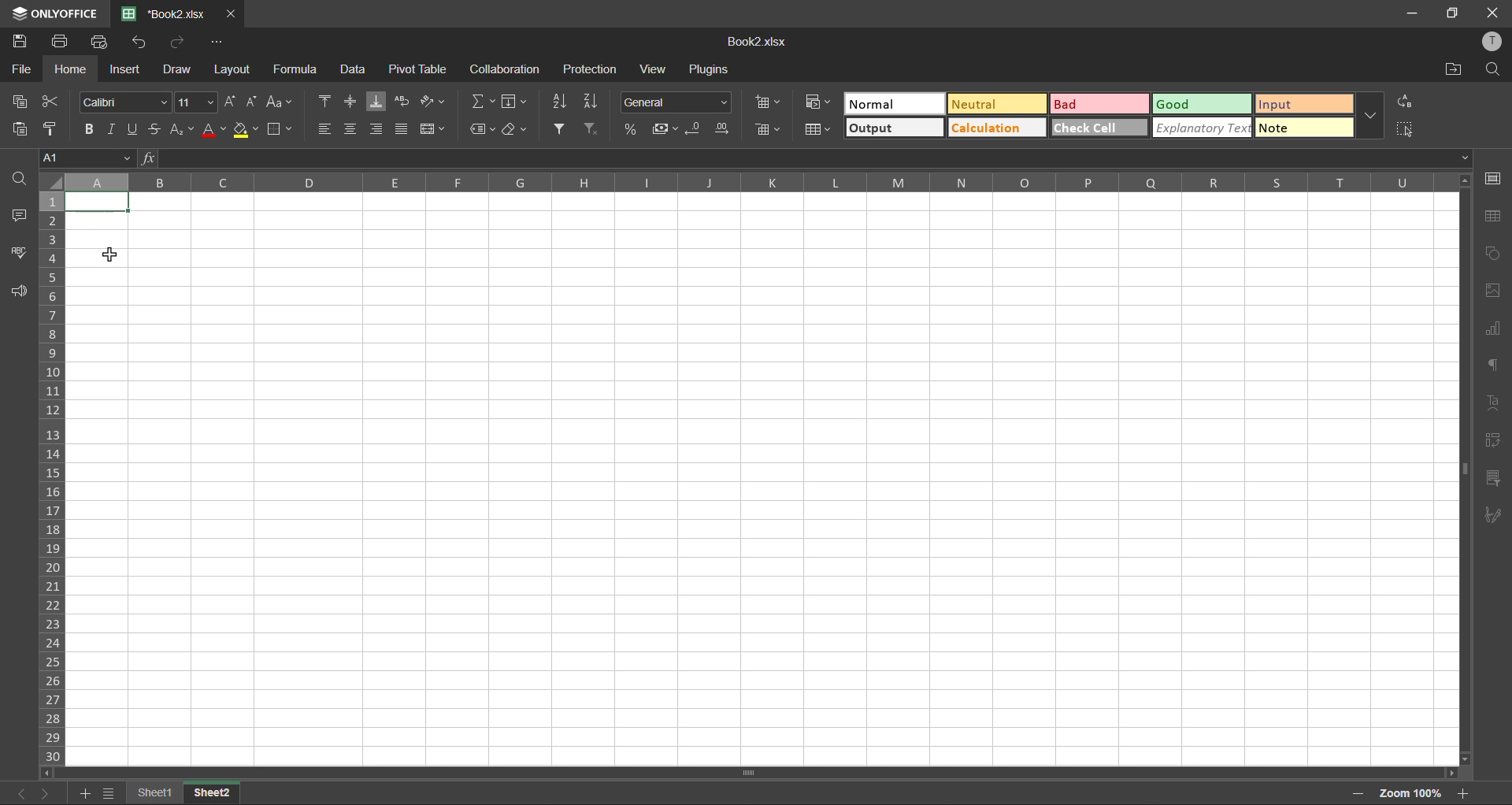 This screenshot has width=1512, height=805. Describe the element at coordinates (1490, 517) in the screenshot. I see `signature` at that location.